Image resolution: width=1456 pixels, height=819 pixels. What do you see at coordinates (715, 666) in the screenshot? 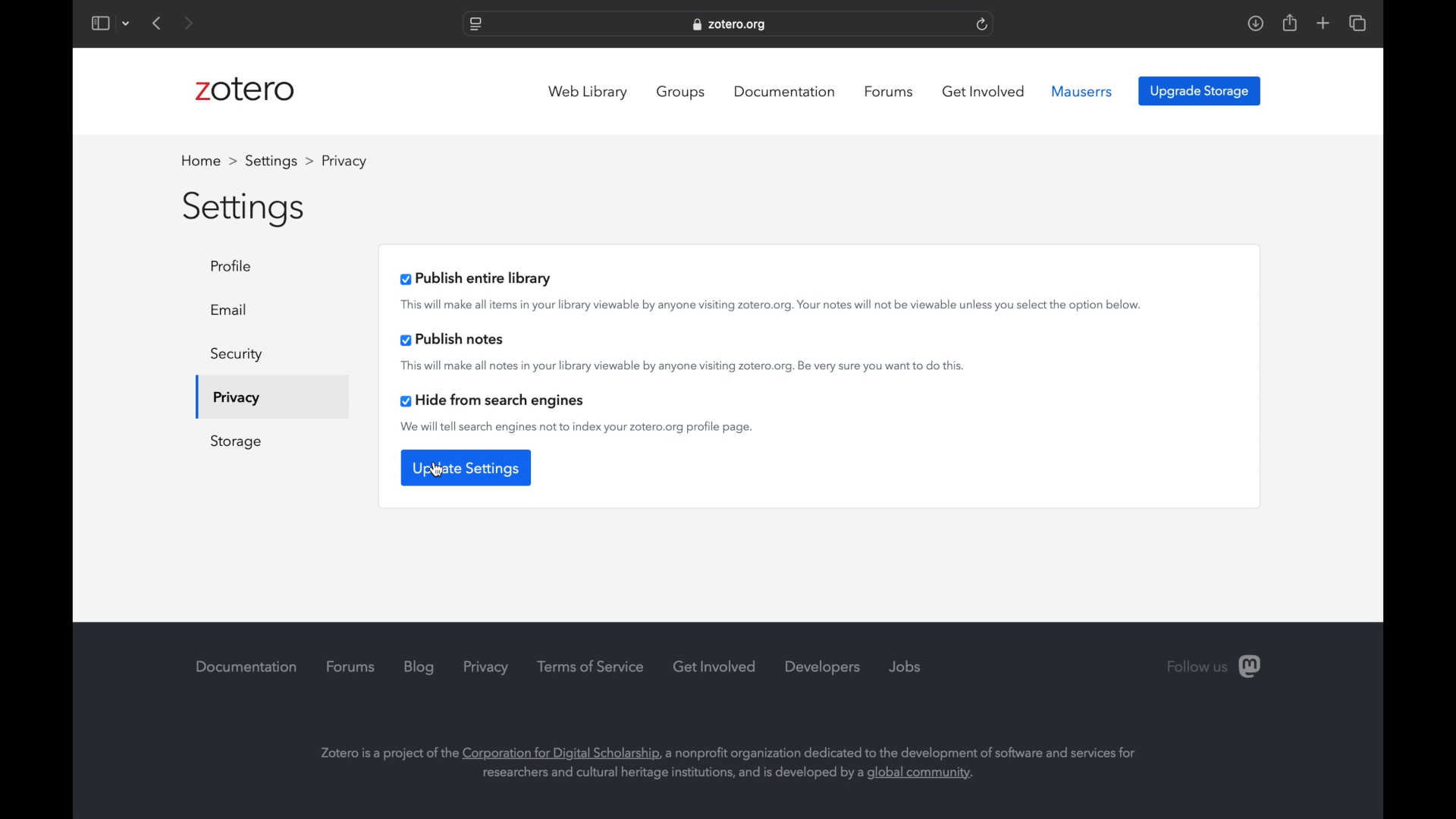
I see `get involved` at bounding box center [715, 666].